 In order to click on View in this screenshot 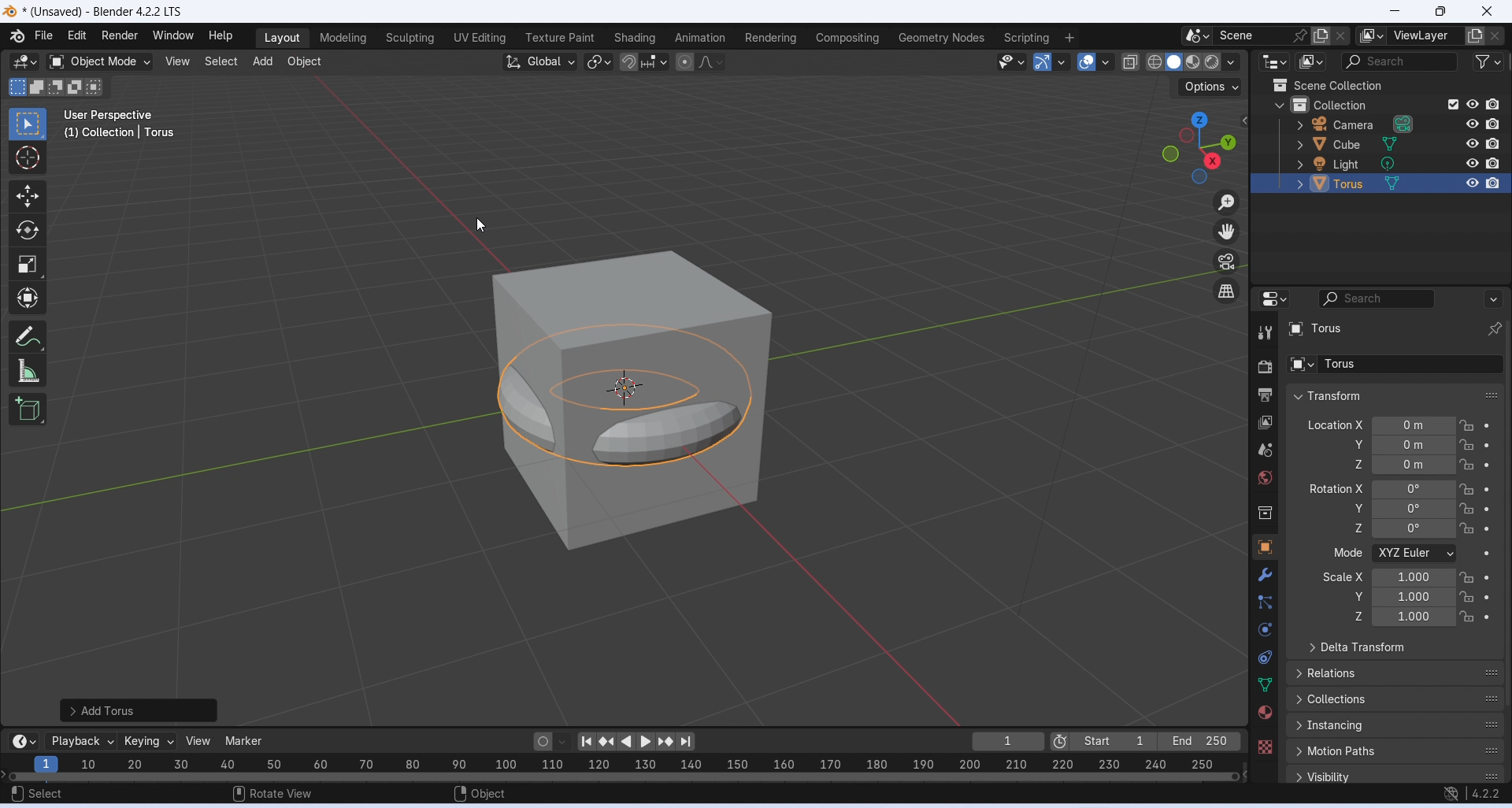, I will do `click(178, 60)`.